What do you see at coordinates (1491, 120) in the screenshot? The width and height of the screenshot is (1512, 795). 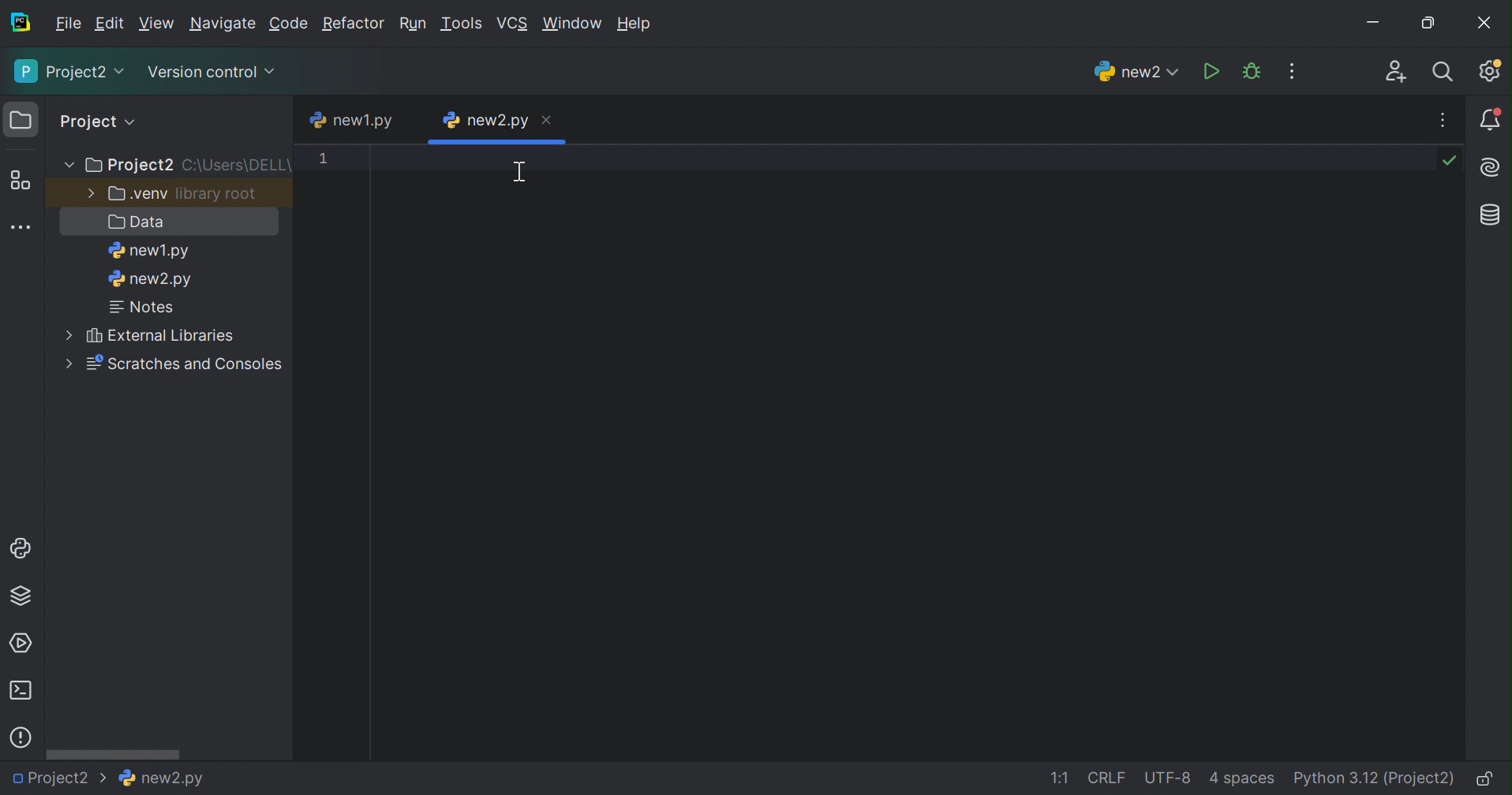 I see `Notifications` at bounding box center [1491, 120].